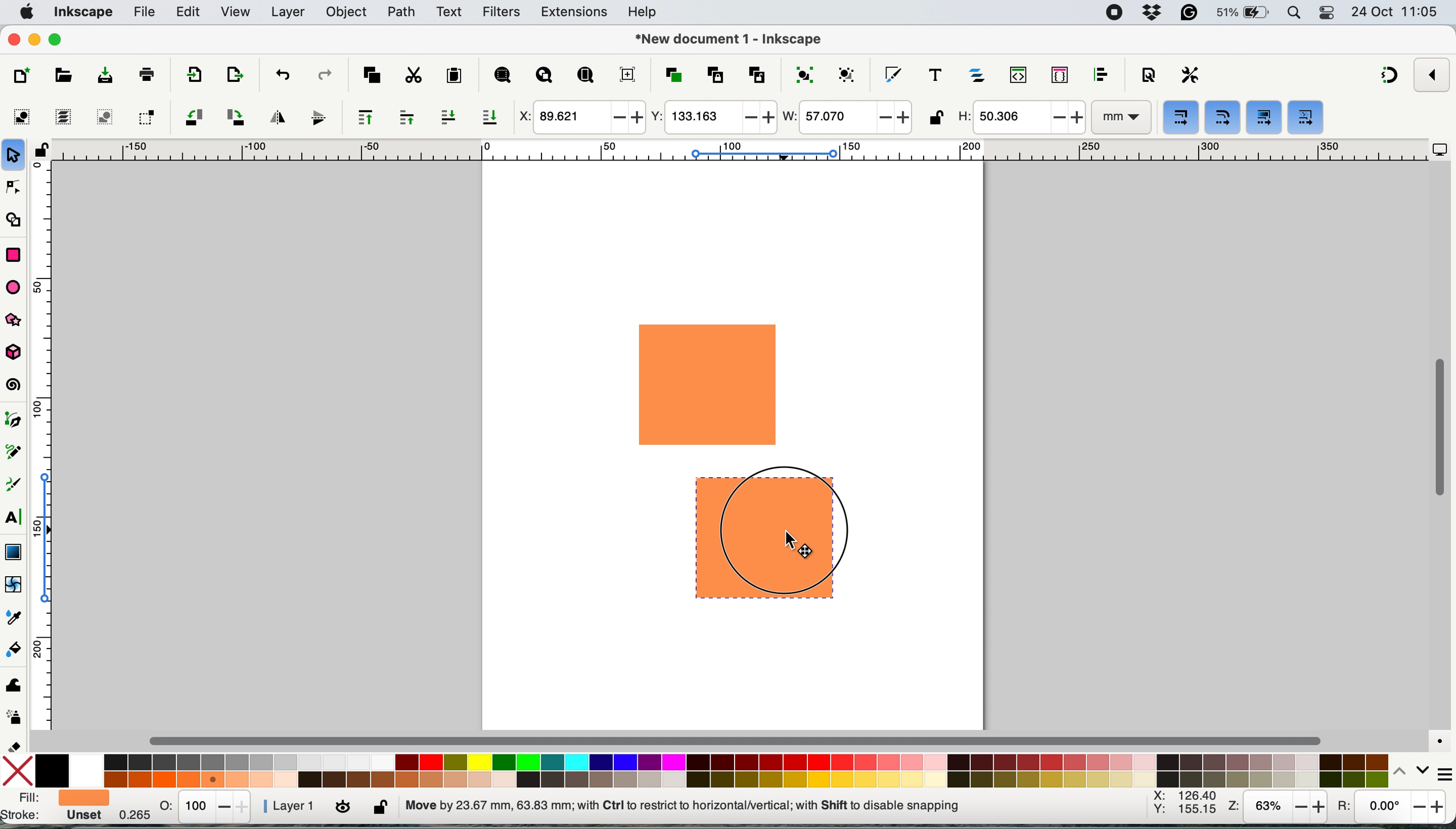 Image resolution: width=1456 pixels, height=829 pixels. I want to click on toggle current layer visibility, so click(344, 808).